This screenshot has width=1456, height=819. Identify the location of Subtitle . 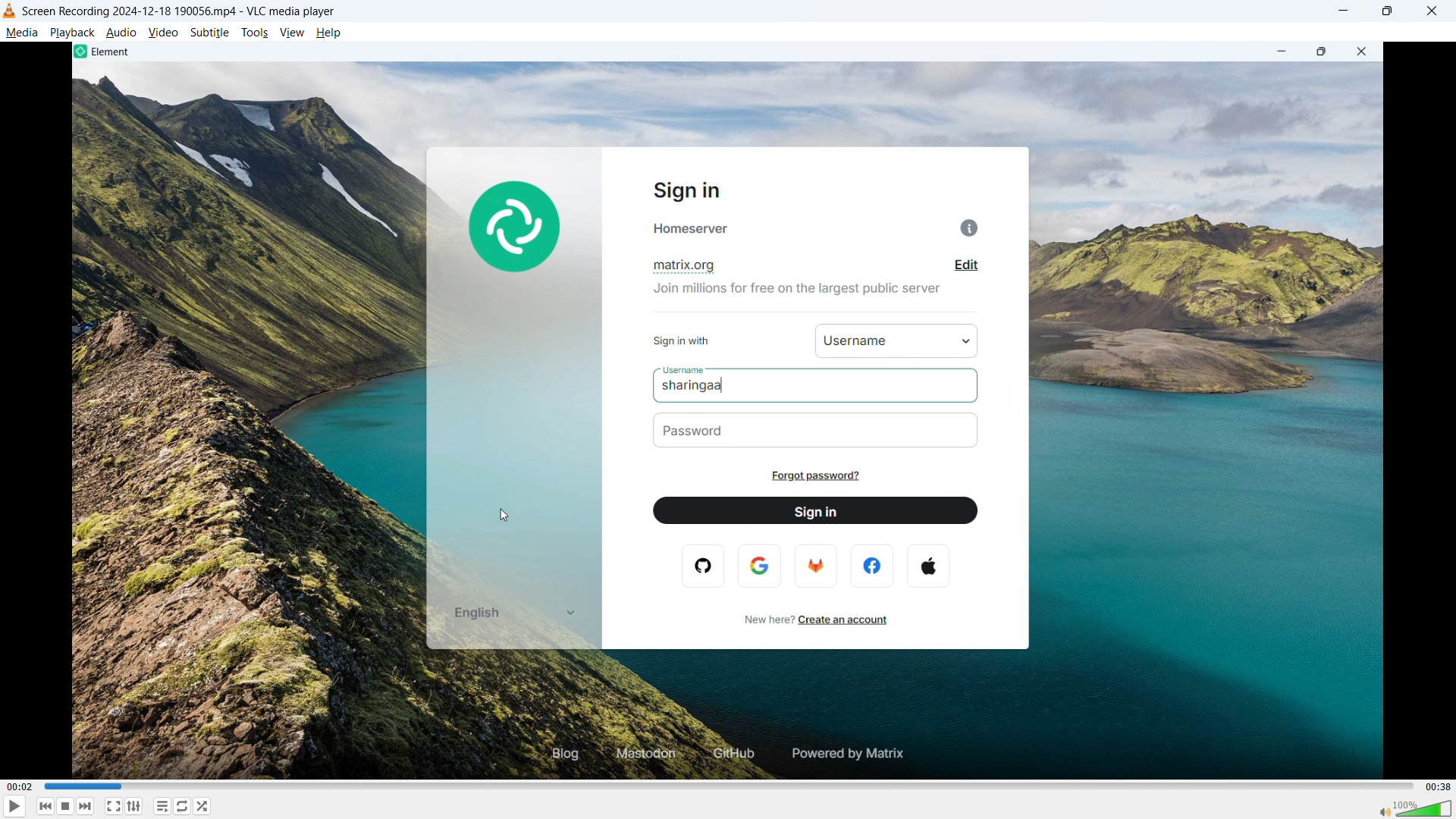
(210, 33).